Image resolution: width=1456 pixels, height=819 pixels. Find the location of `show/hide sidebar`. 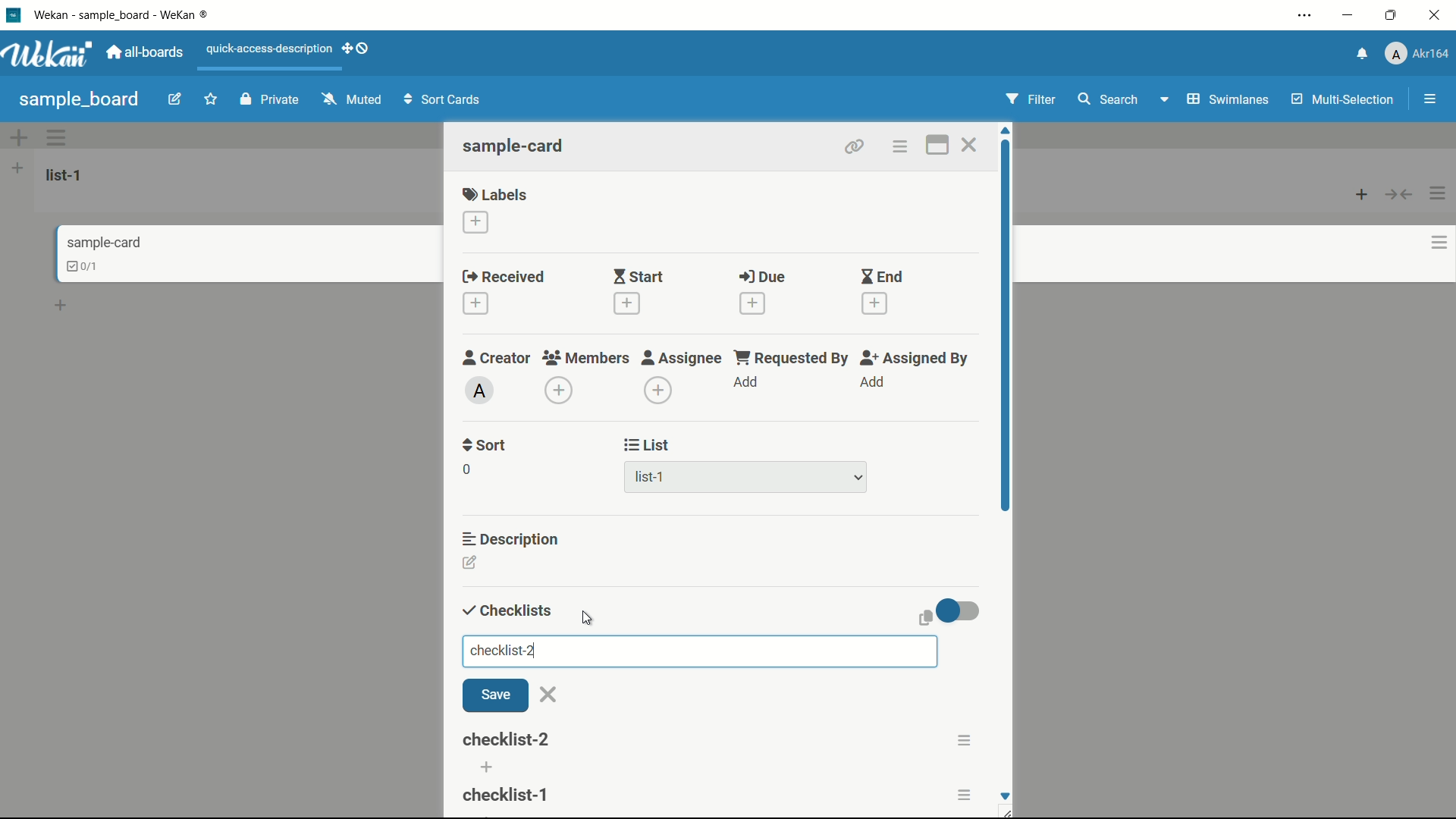

show/hide sidebar is located at coordinates (1432, 99).